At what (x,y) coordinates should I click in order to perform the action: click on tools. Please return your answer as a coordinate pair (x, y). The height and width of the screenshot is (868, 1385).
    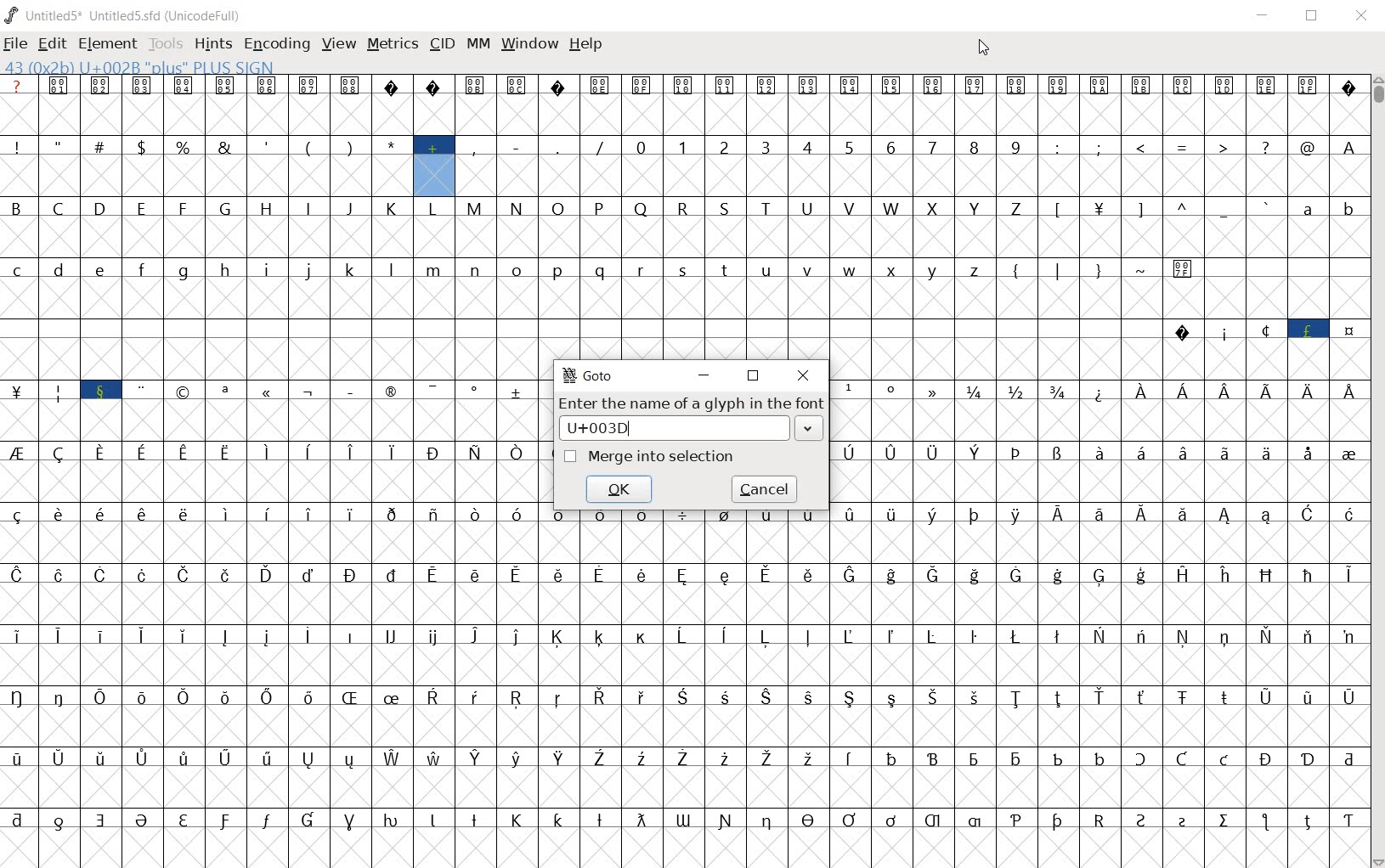
    Looking at the image, I should click on (164, 42).